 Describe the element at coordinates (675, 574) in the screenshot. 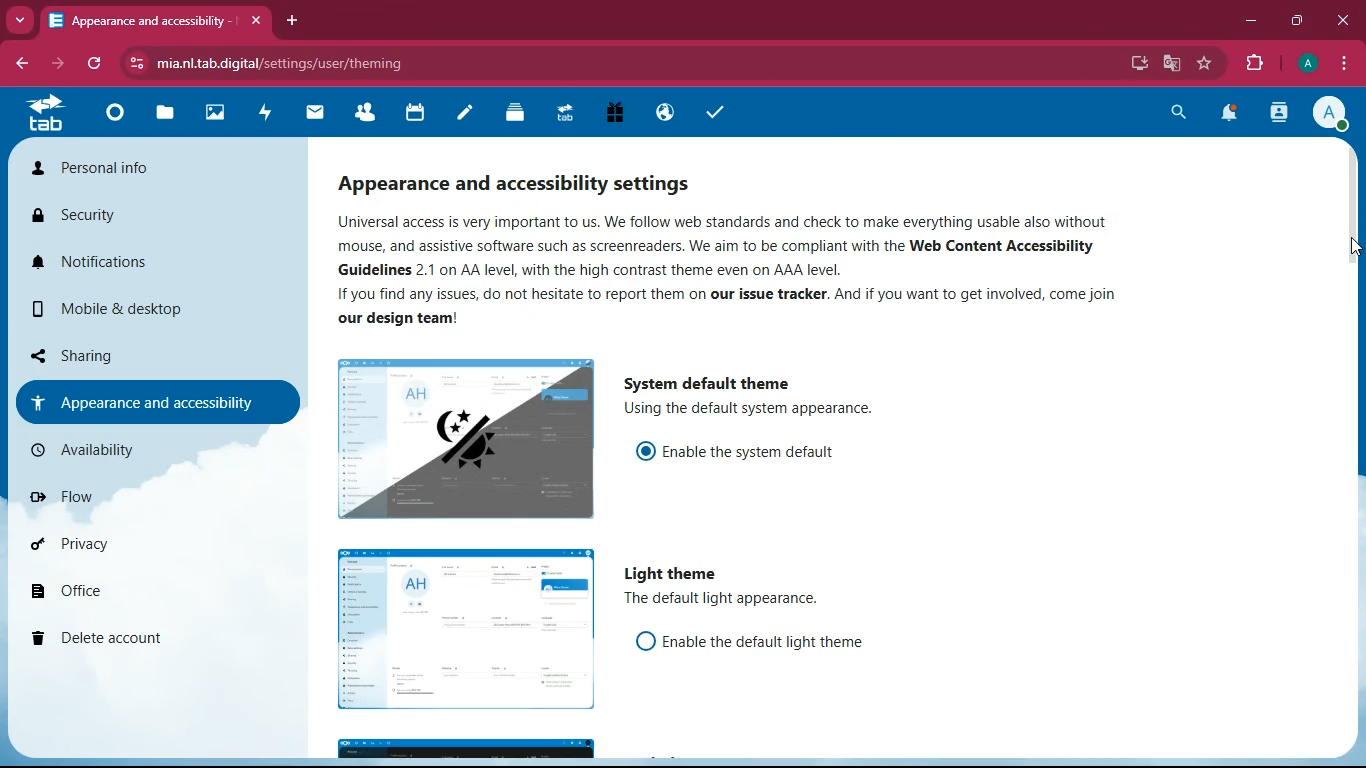

I see `light theme` at that location.